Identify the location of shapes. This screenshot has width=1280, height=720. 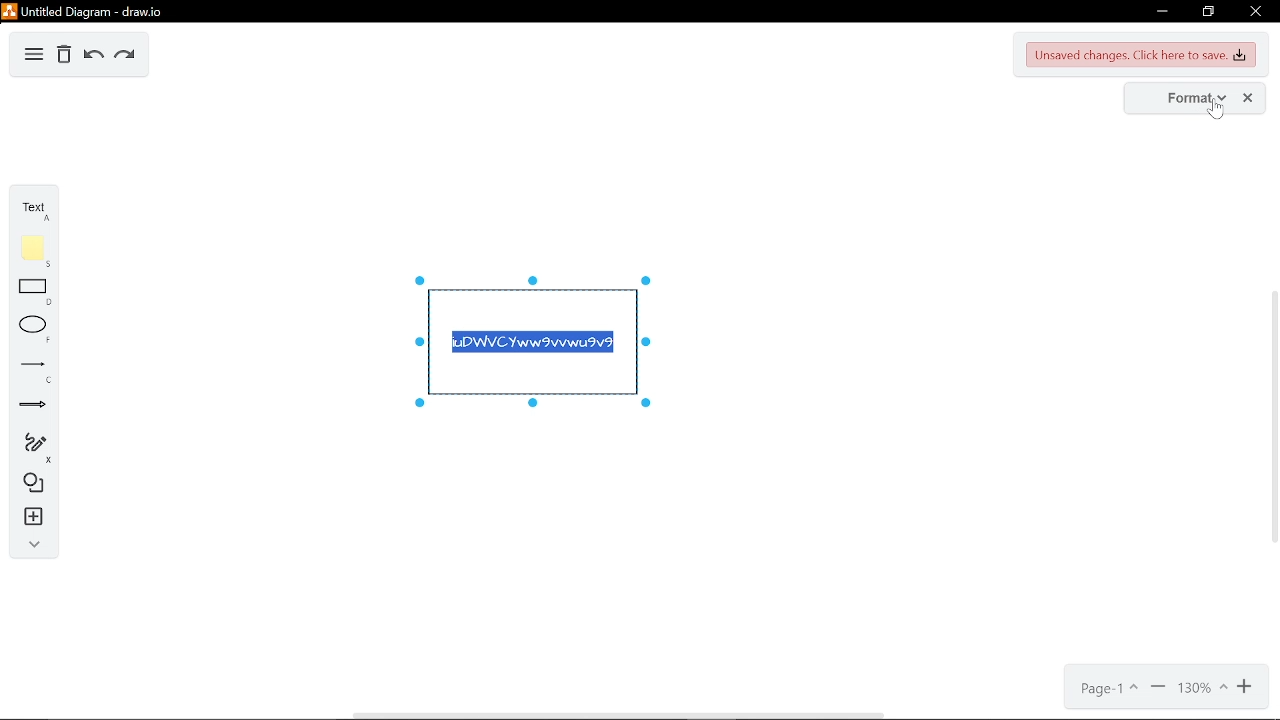
(31, 485).